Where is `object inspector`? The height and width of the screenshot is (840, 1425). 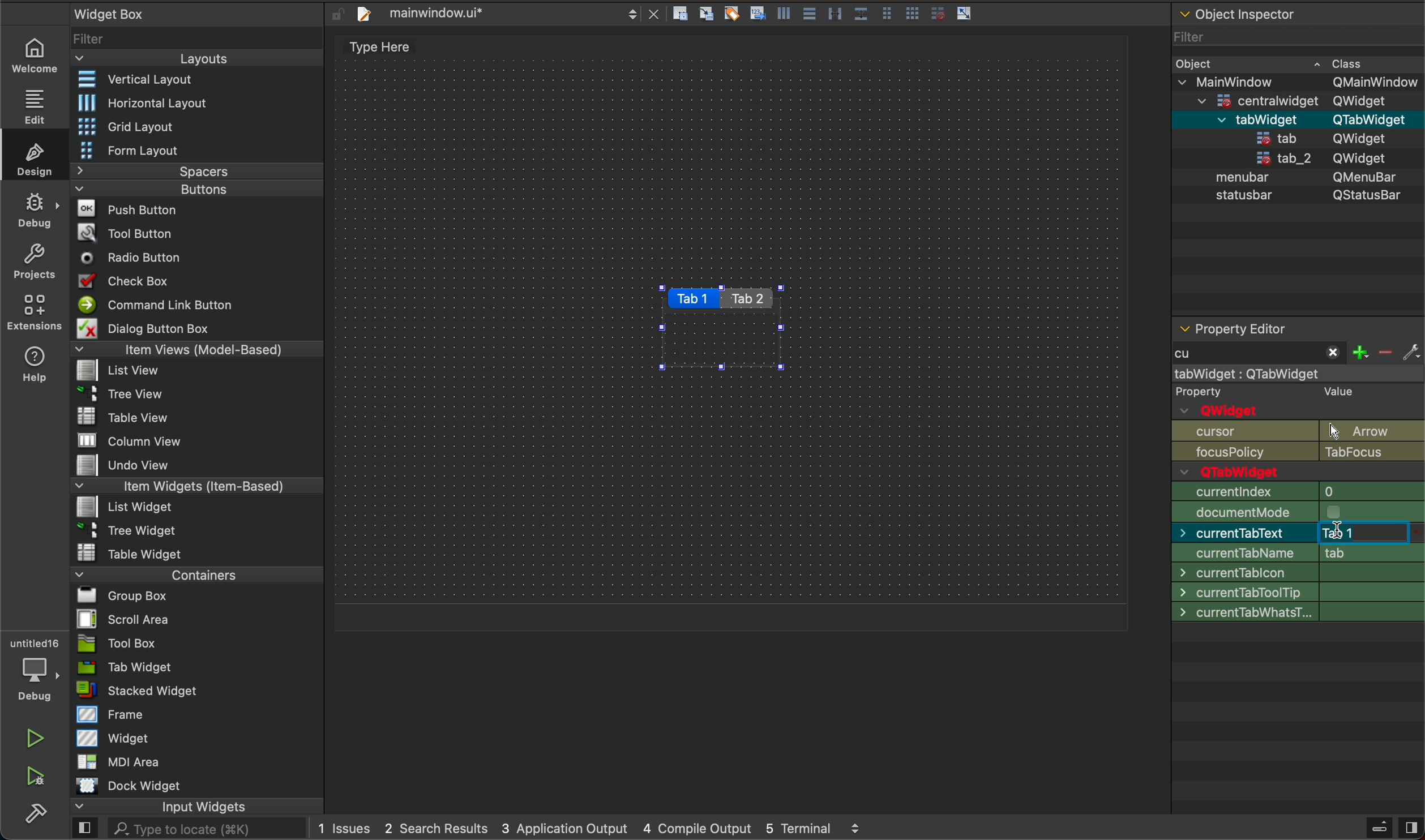 object inspector is located at coordinates (1298, 16).